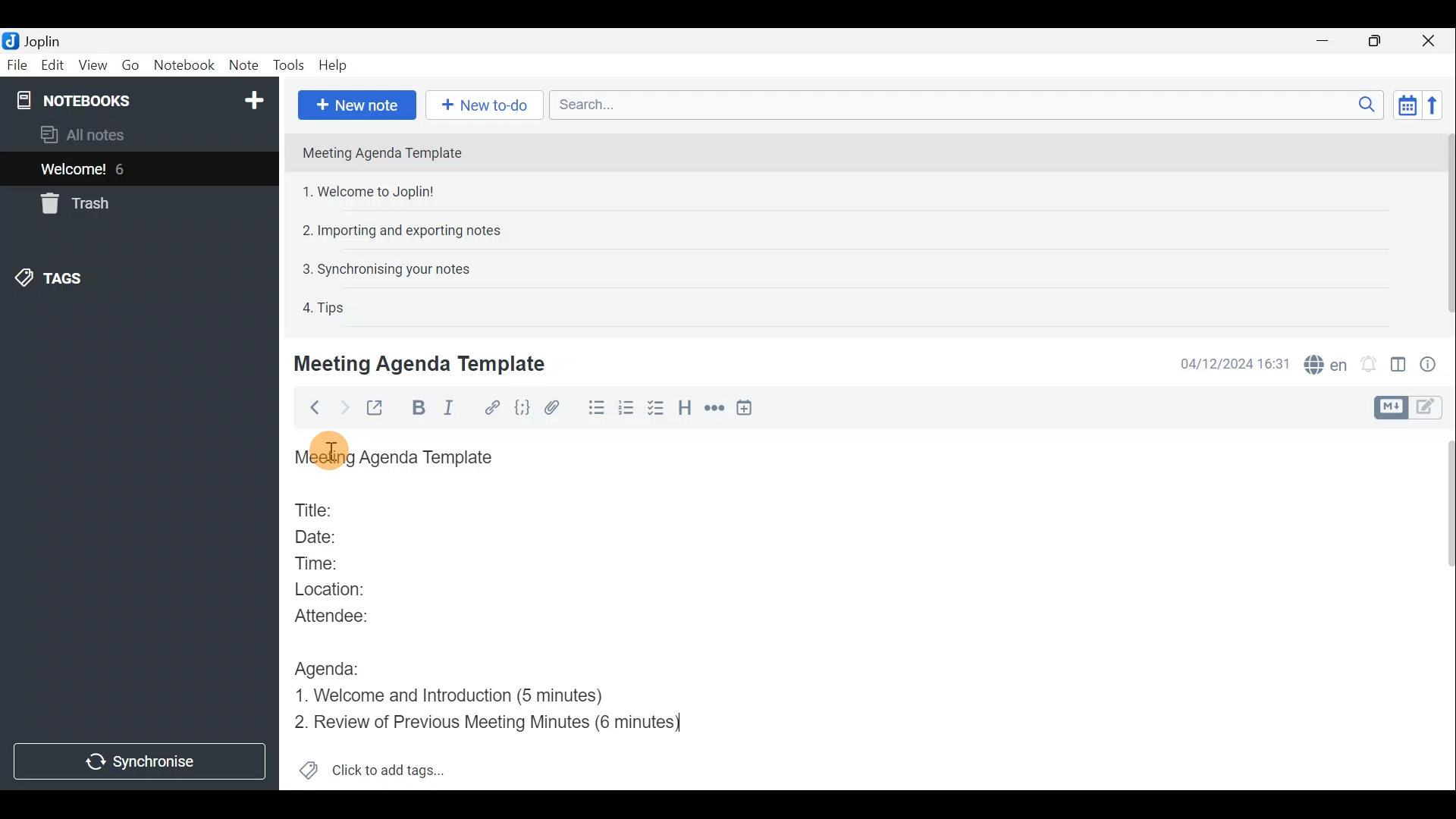 The width and height of the screenshot is (1456, 819). Describe the element at coordinates (1433, 105) in the screenshot. I see `Reverse sort order` at that location.